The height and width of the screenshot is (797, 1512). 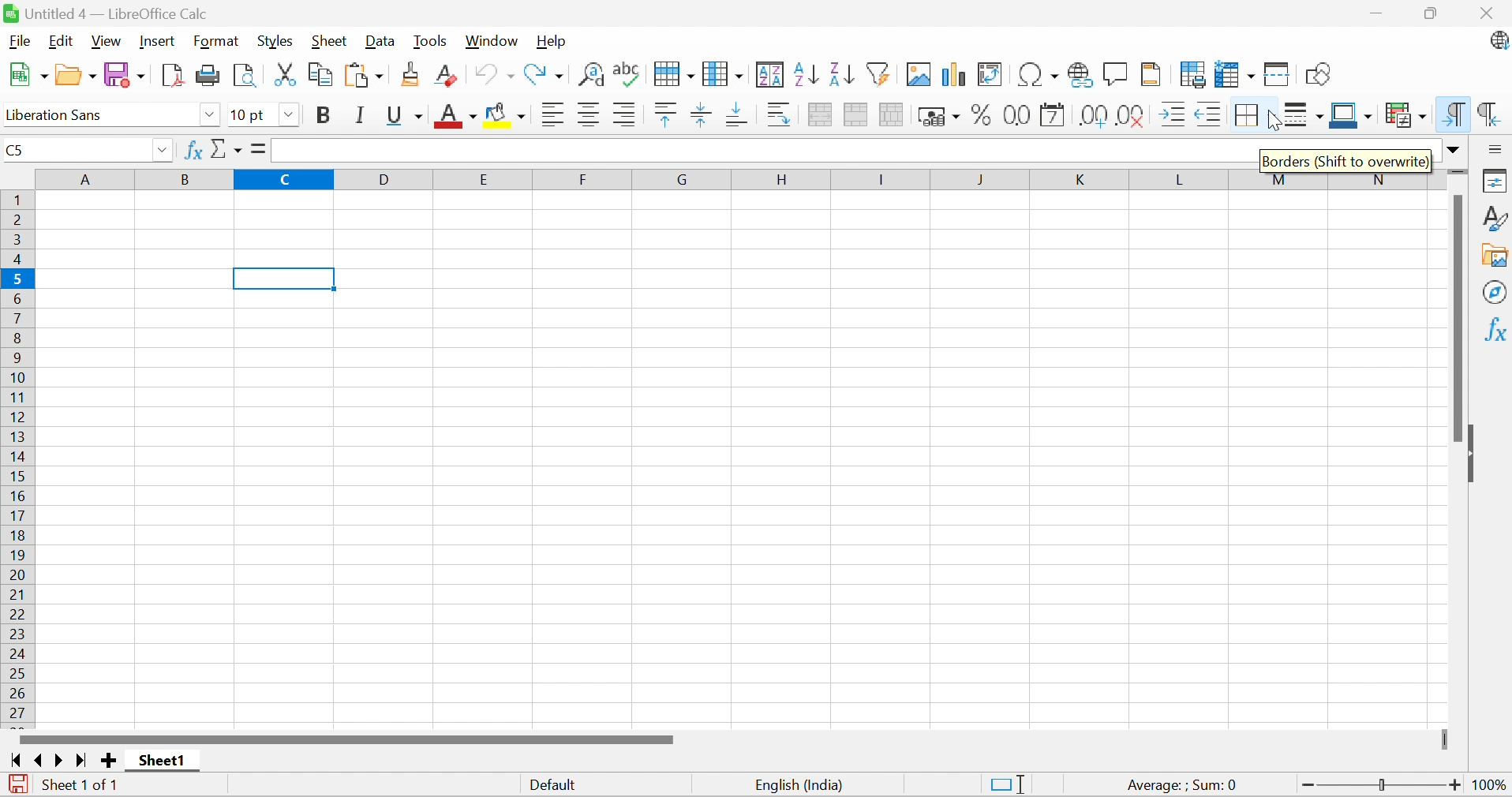 What do you see at coordinates (666, 115) in the screenshot?
I see `Align top` at bounding box center [666, 115].